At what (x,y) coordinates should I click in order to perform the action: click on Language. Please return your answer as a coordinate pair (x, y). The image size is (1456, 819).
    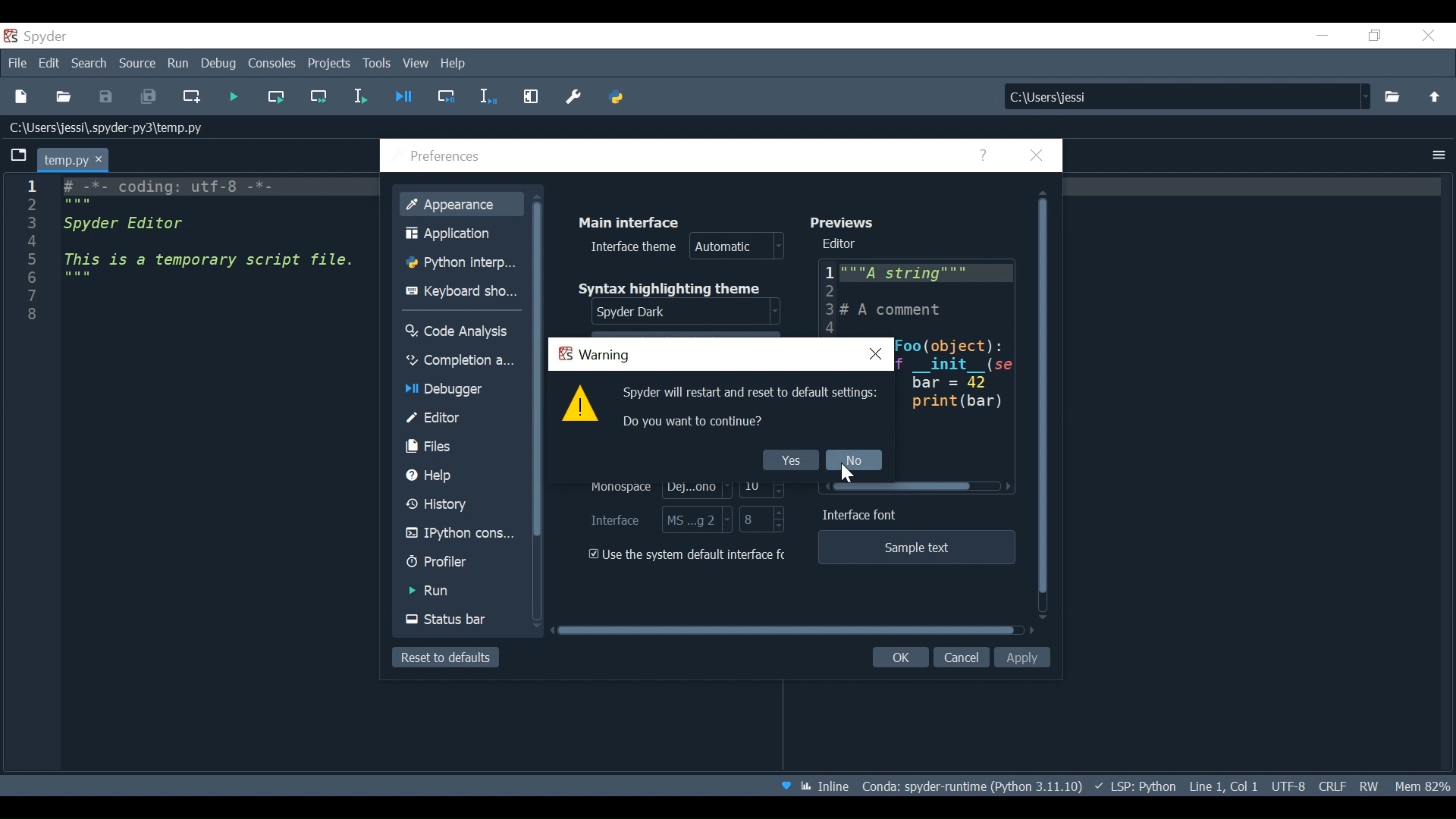
    Looking at the image, I should click on (1134, 786).